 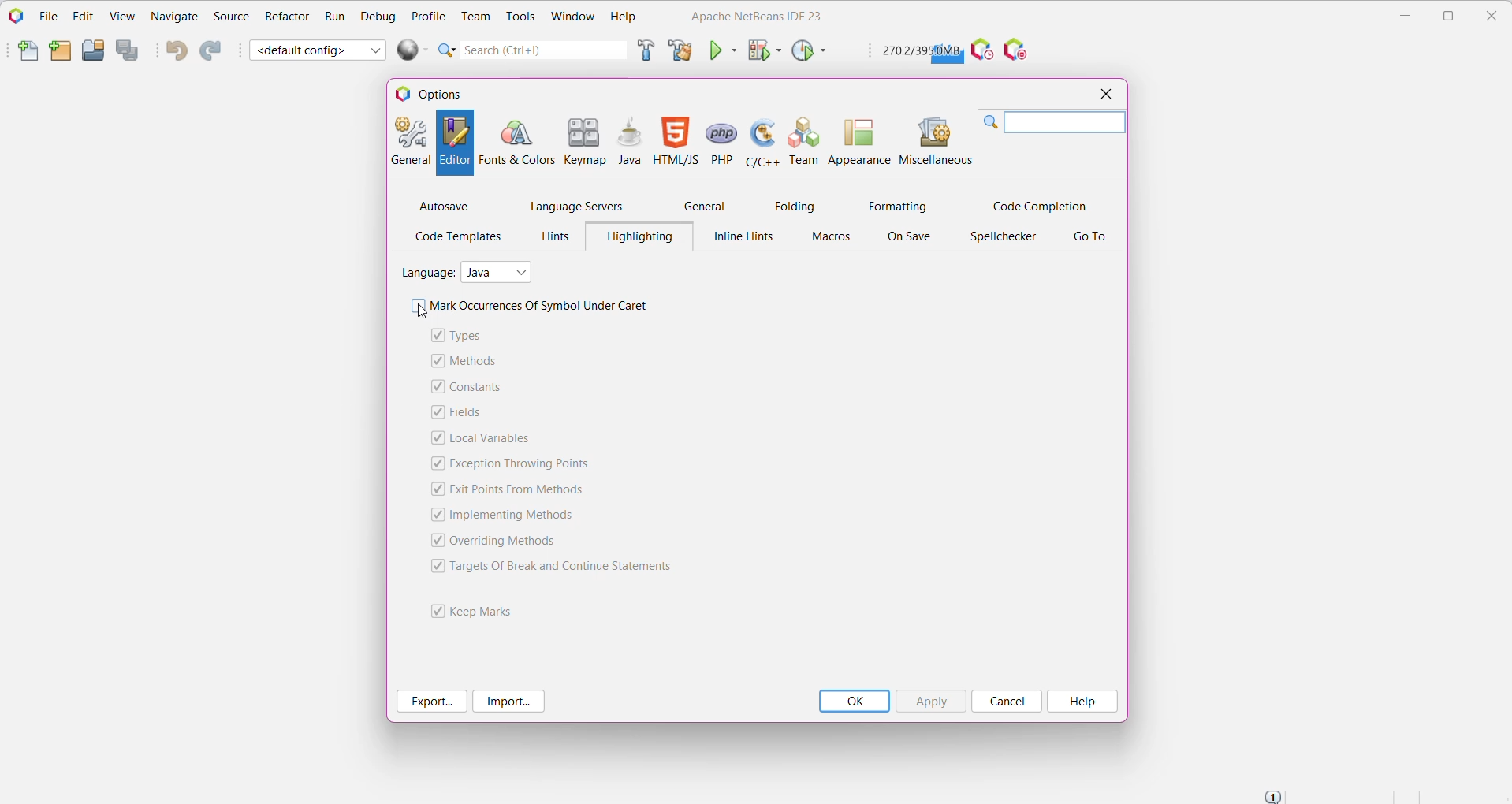 I want to click on Export, so click(x=431, y=702).